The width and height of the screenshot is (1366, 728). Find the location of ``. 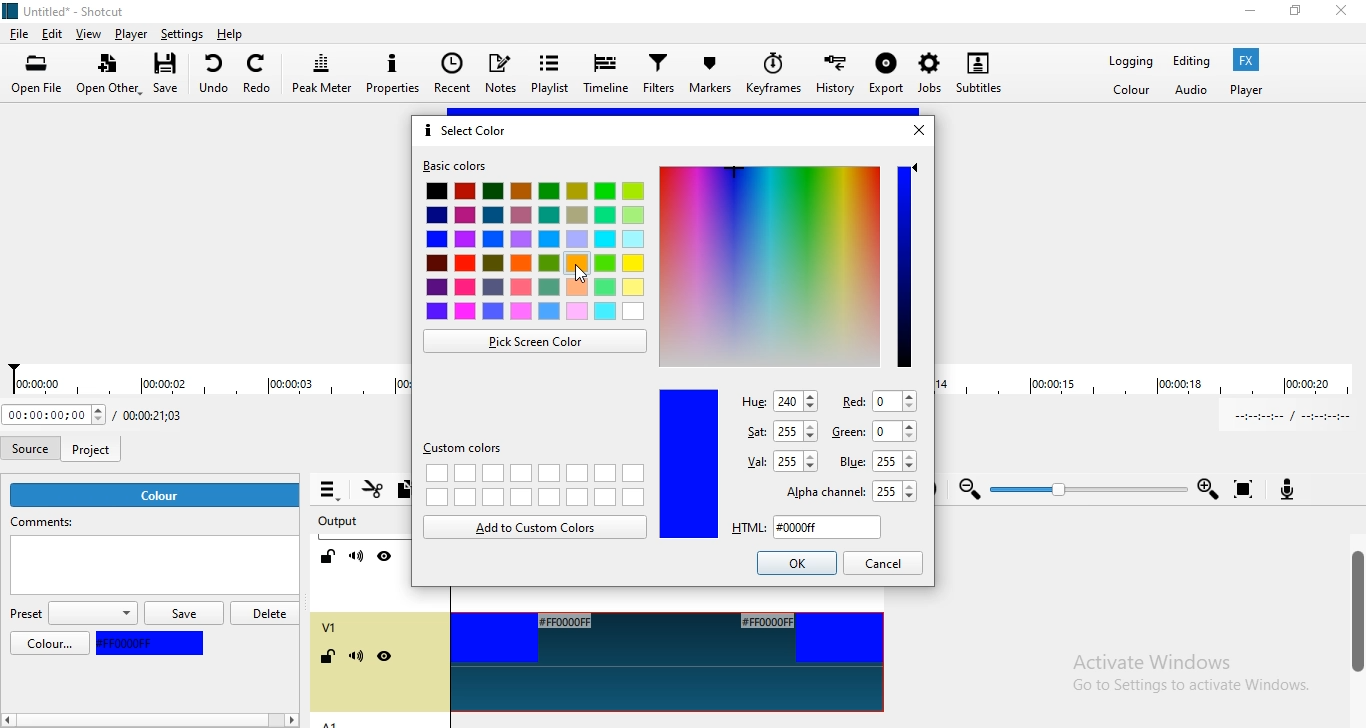

 is located at coordinates (1086, 490).